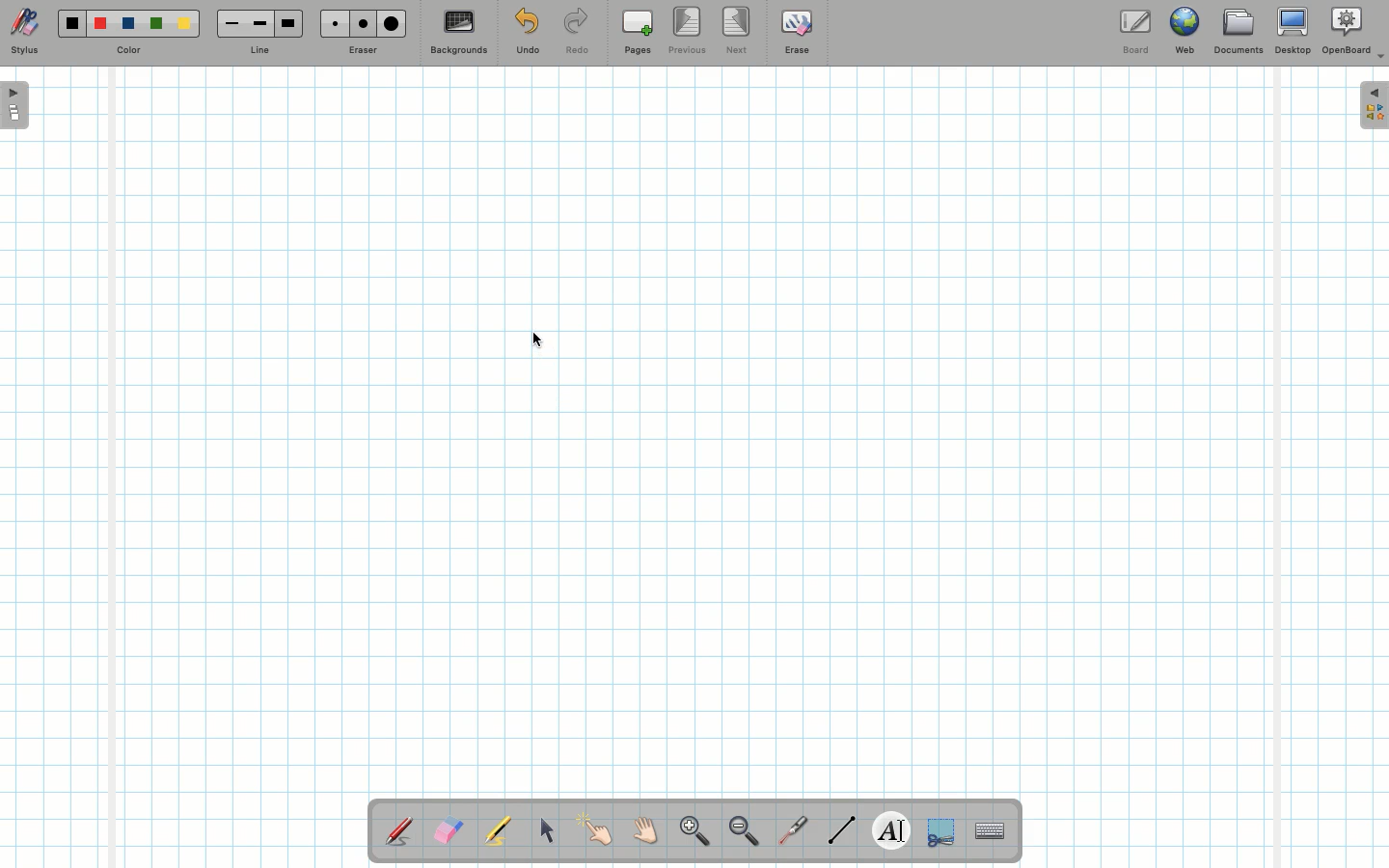 The width and height of the screenshot is (1389, 868). Describe the element at coordinates (1353, 31) in the screenshot. I see `OpenBoard` at that location.